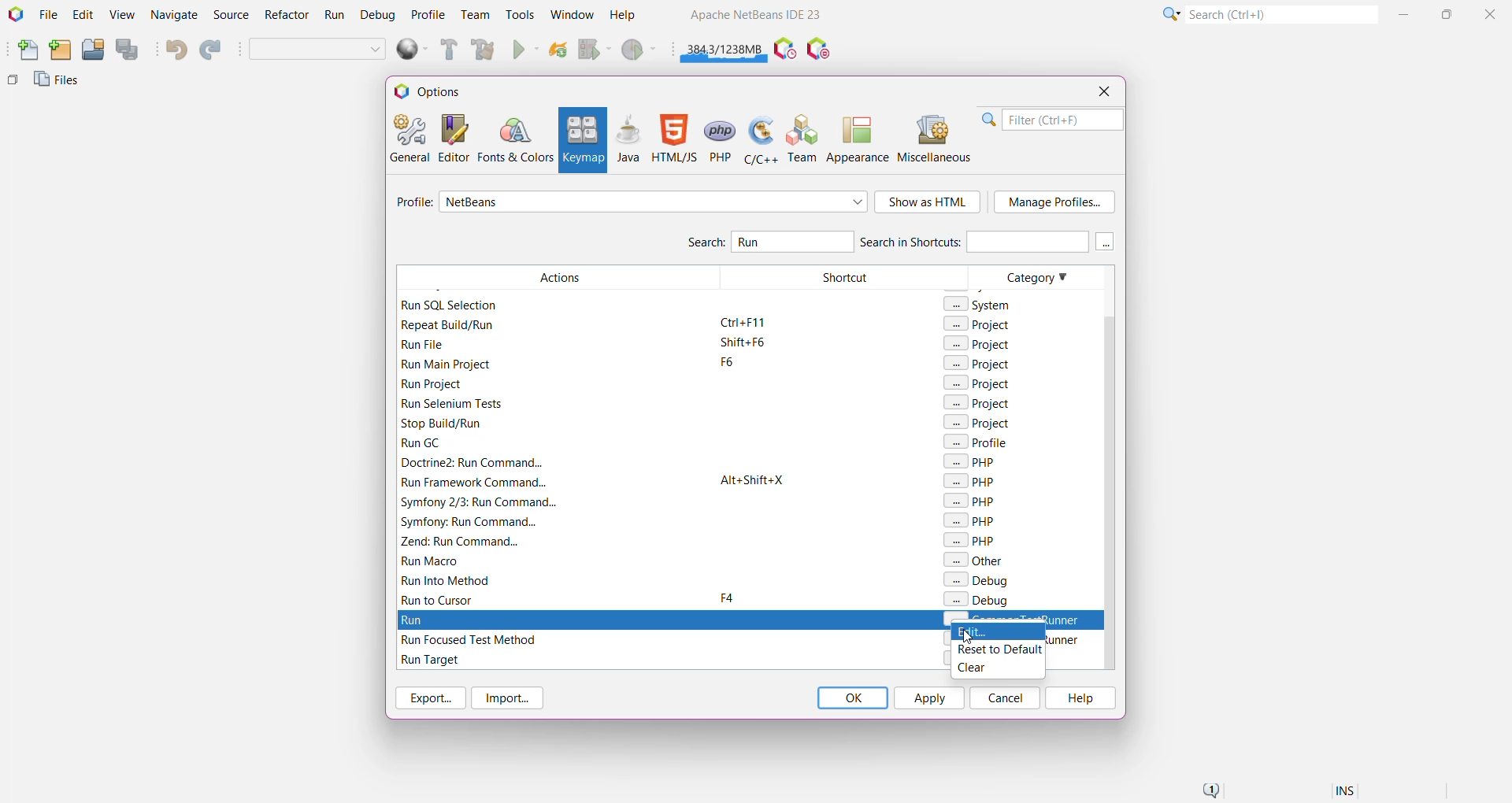  What do you see at coordinates (858, 139) in the screenshot?
I see `Appearance` at bounding box center [858, 139].